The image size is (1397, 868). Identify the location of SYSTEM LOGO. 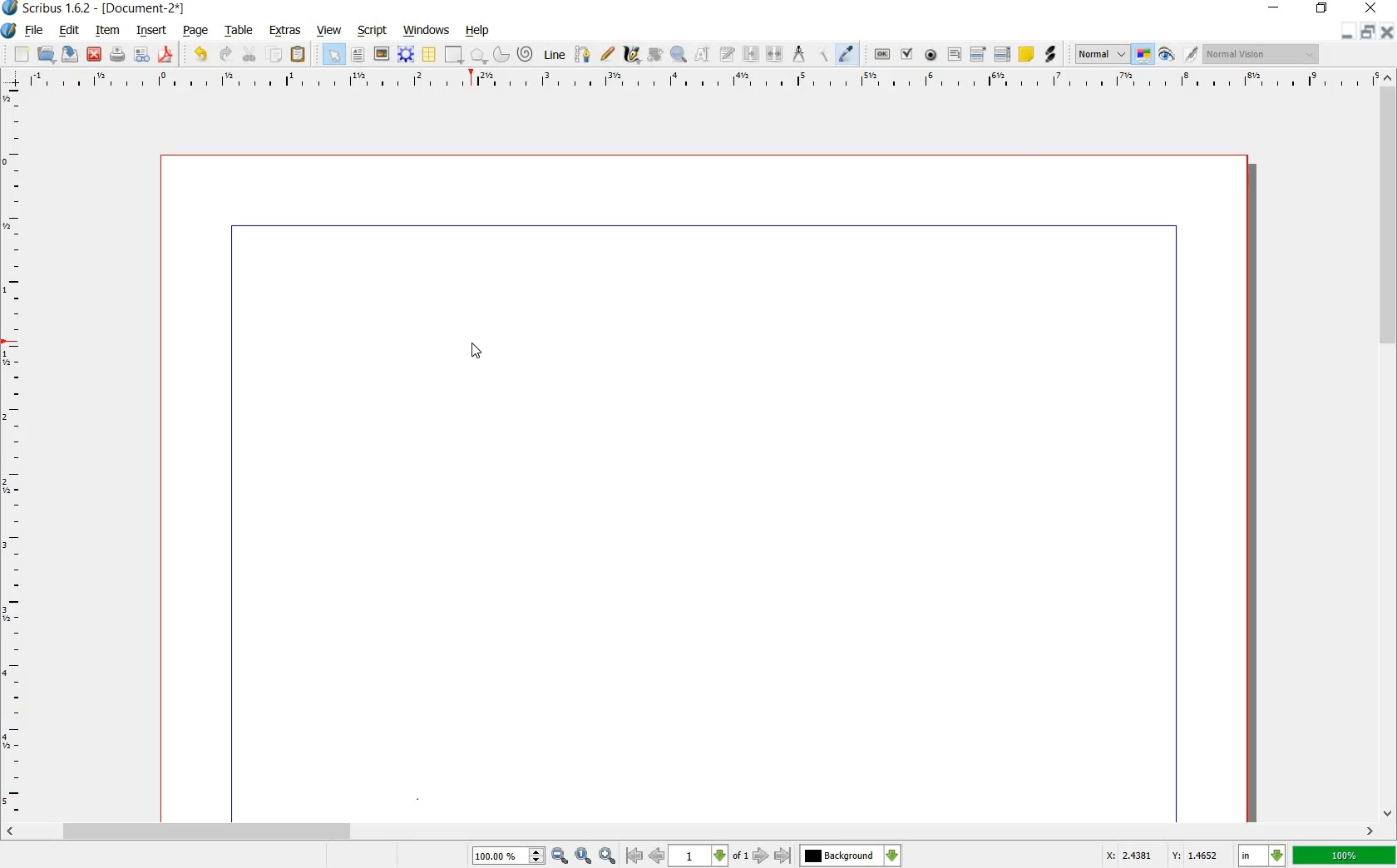
(10, 29).